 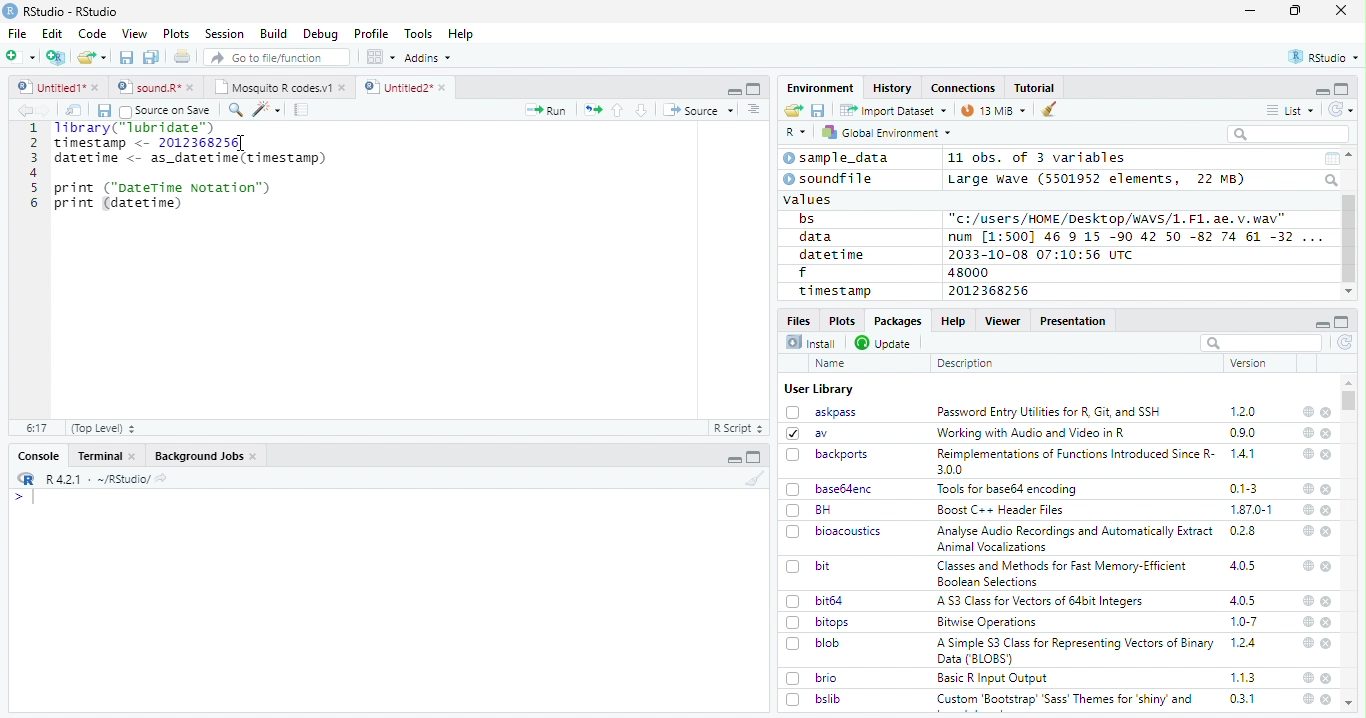 What do you see at coordinates (76, 110) in the screenshot?
I see `Show in new window` at bounding box center [76, 110].